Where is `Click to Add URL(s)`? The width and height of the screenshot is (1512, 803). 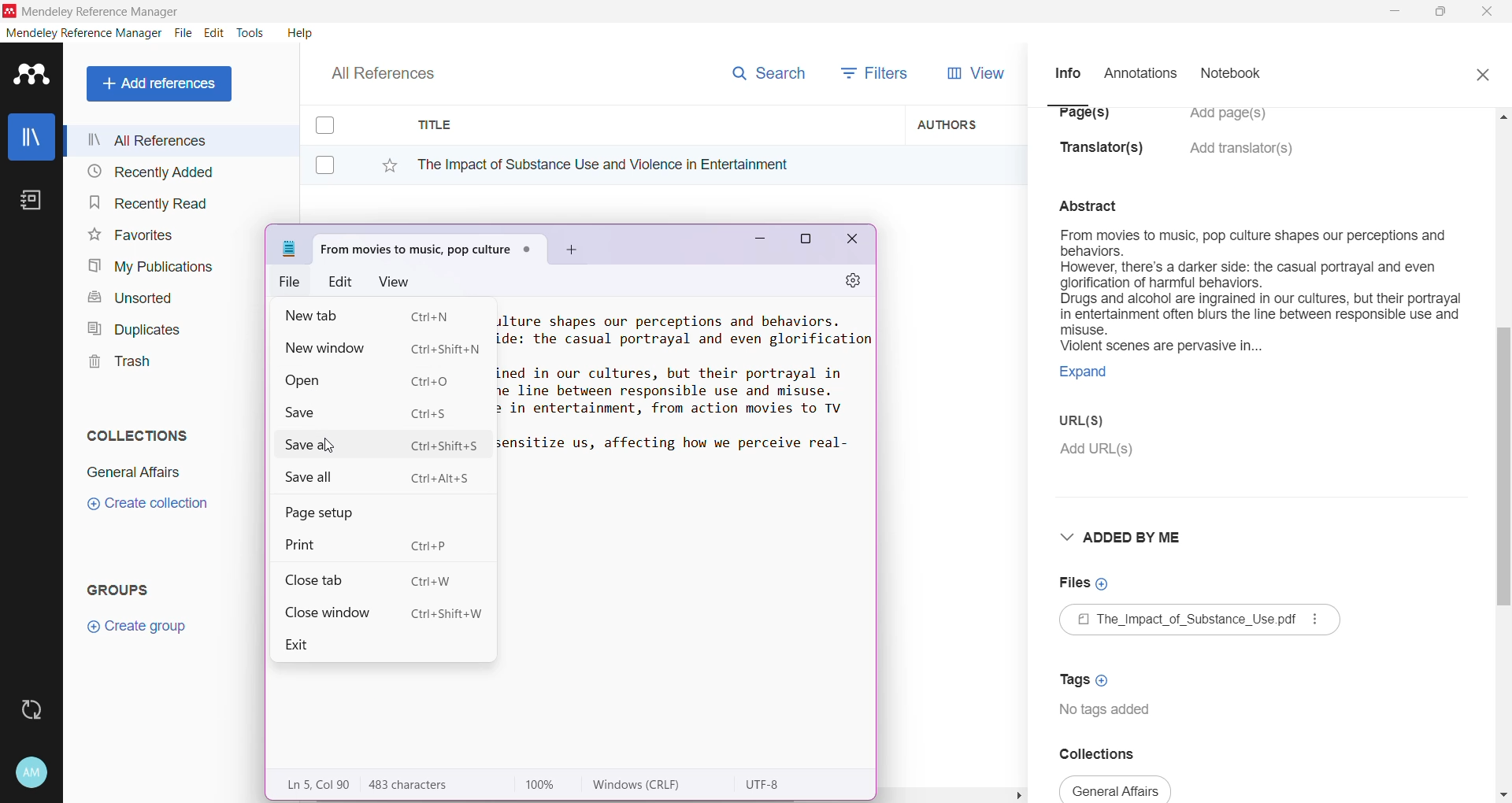
Click to Add URL(s) is located at coordinates (1099, 451).